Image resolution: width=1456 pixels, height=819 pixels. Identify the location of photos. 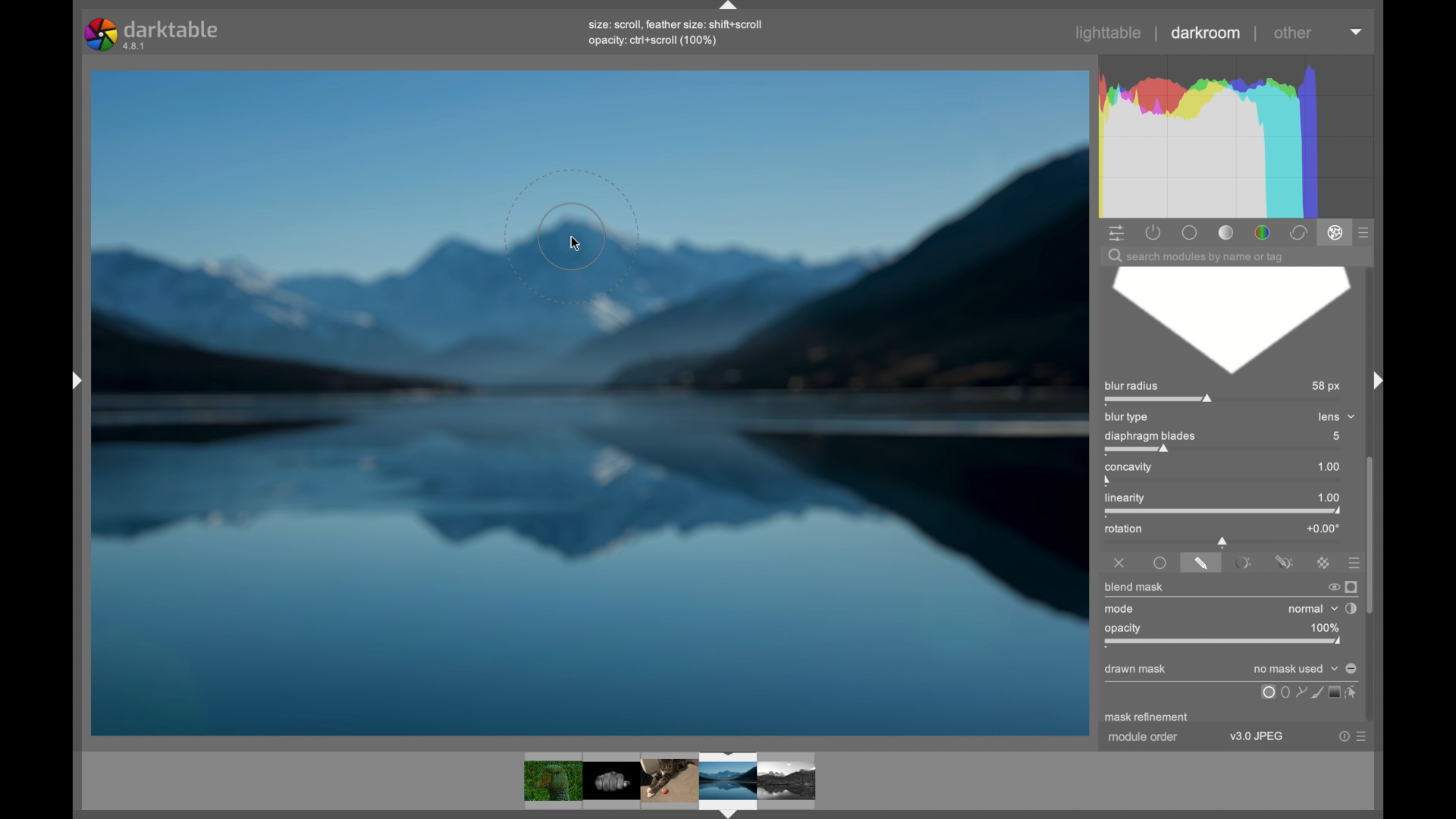
(669, 781).